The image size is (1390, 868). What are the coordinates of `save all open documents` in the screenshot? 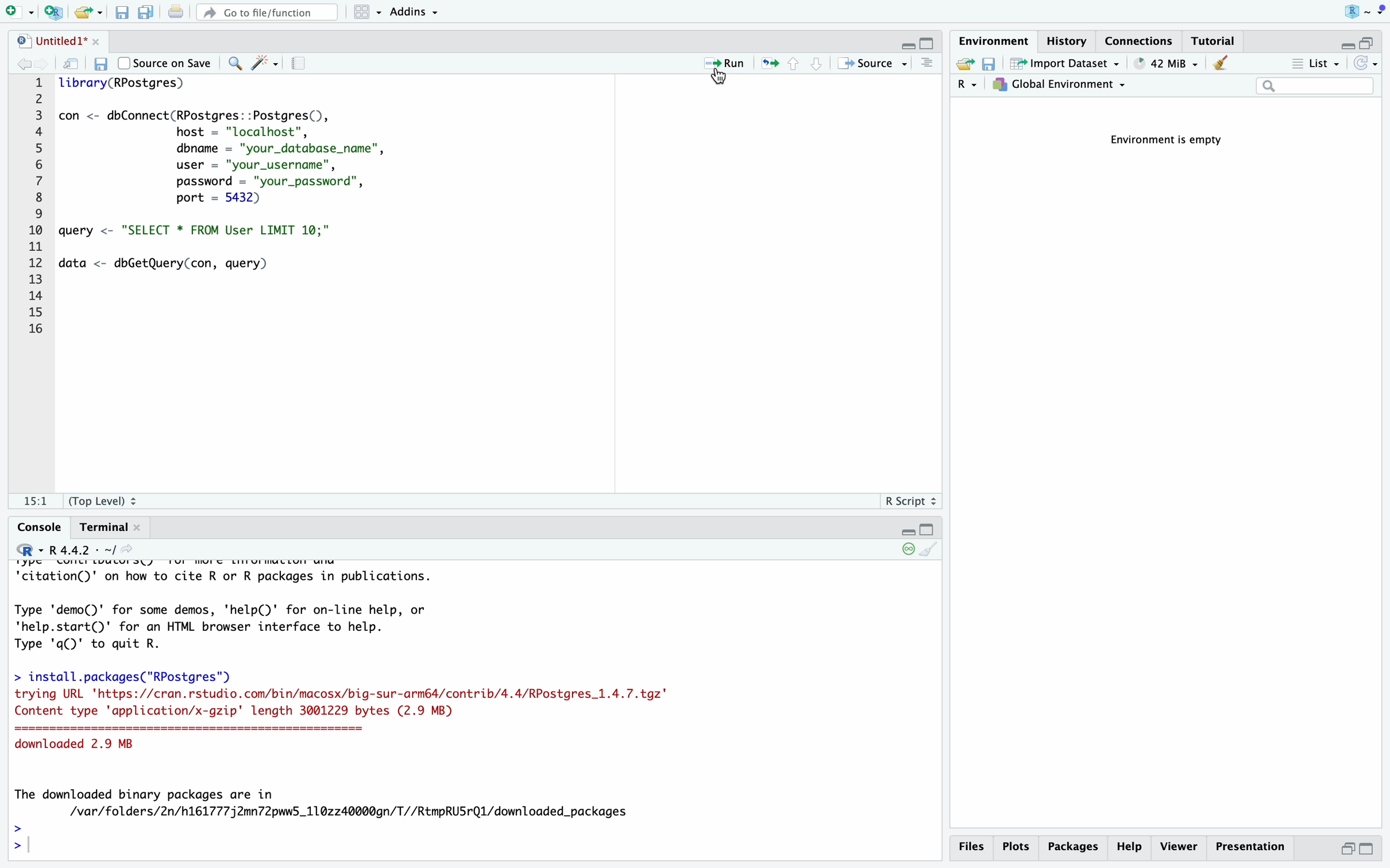 It's located at (145, 12).